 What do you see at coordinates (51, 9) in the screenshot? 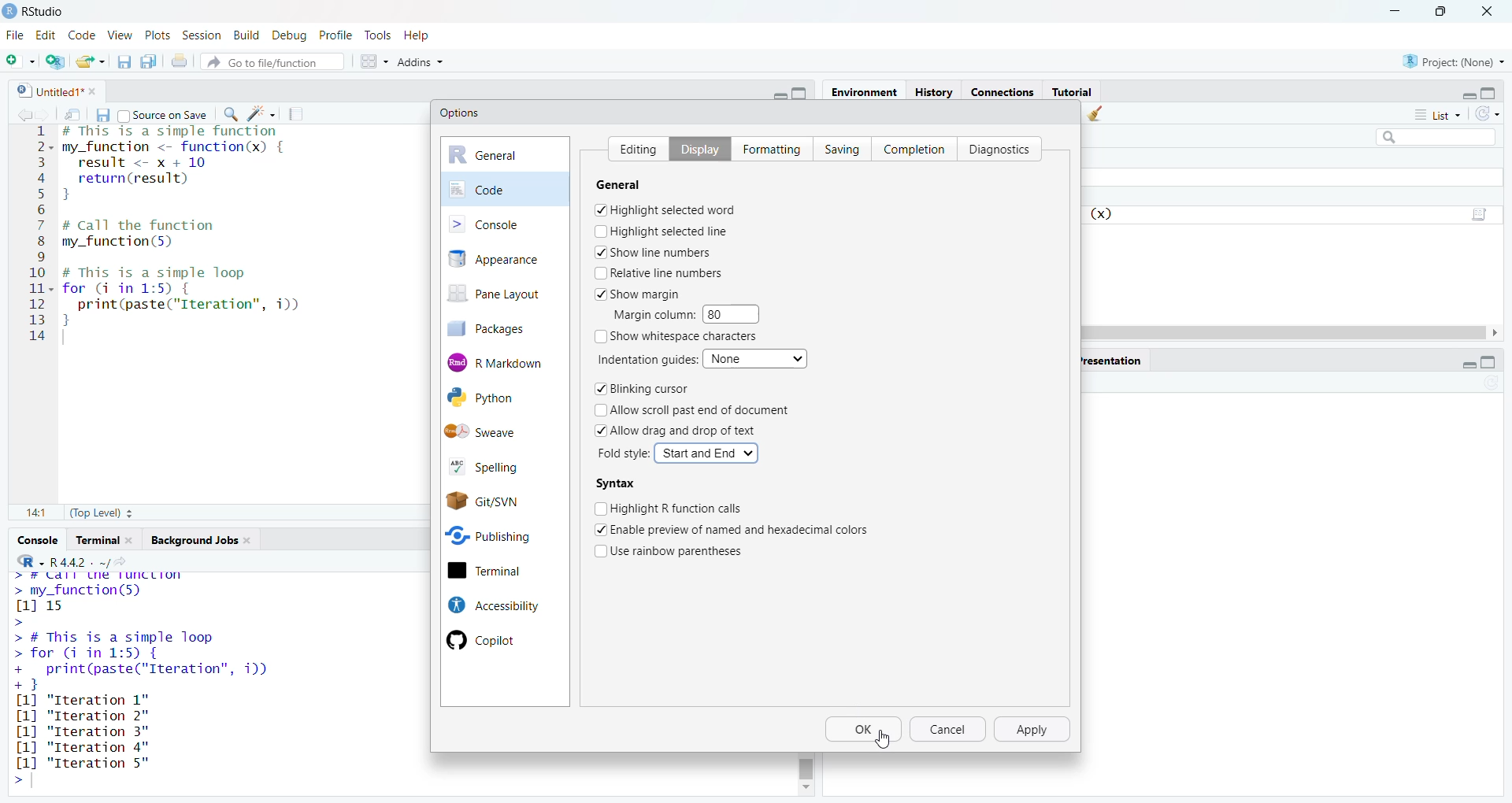
I see `RStudio` at bounding box center [51, 9].